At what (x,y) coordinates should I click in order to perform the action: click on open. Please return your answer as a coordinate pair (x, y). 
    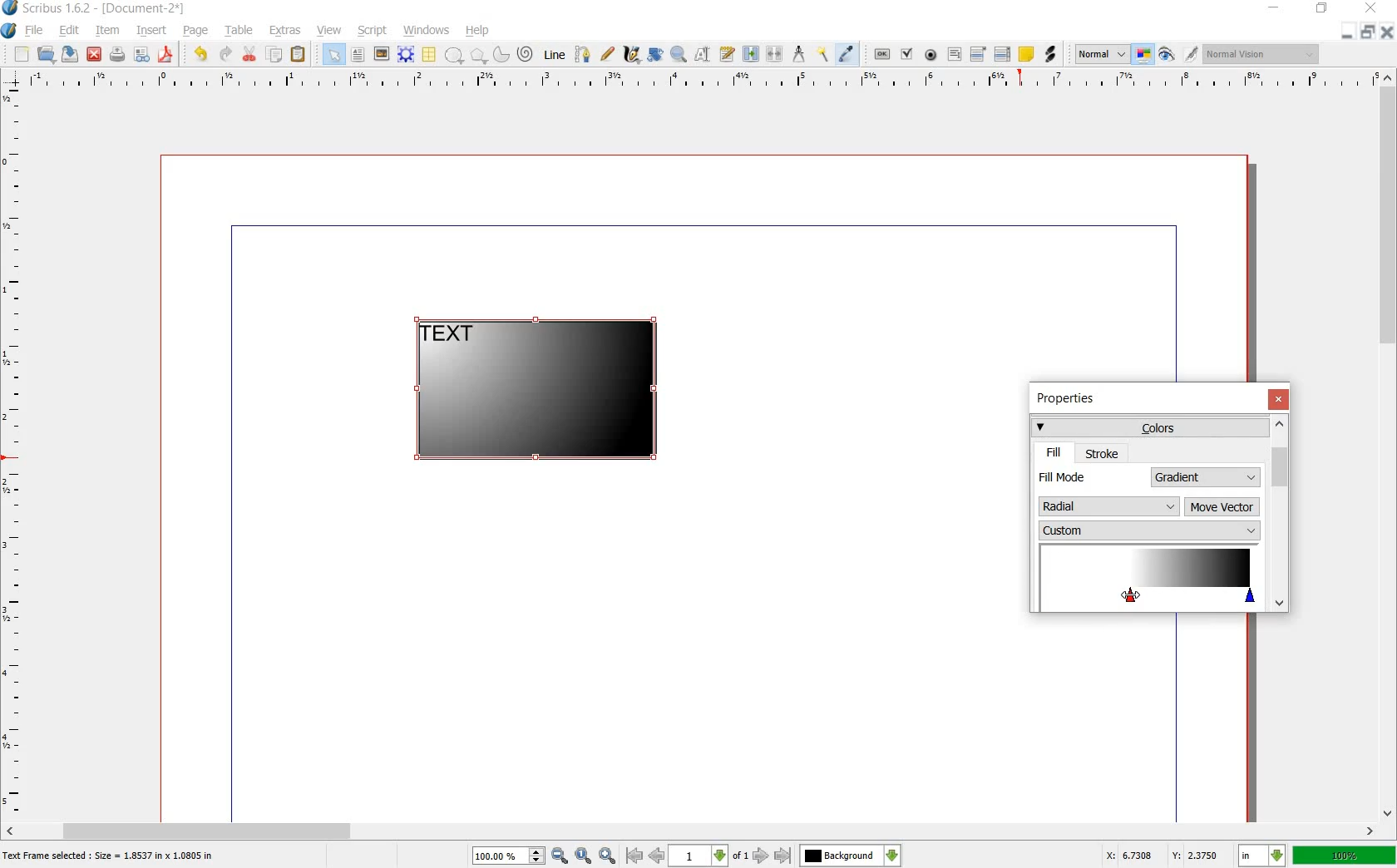
    Looking at the image, I should click on (48, 55).